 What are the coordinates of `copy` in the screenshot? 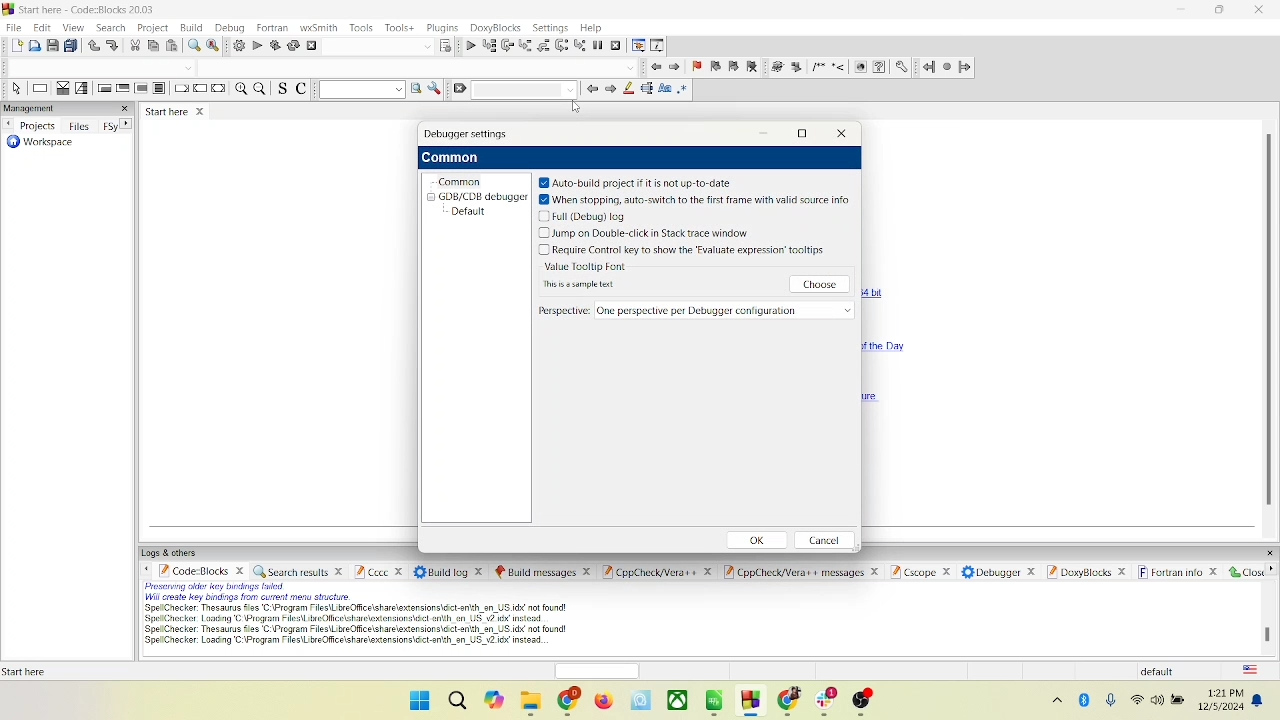 It's located at (154, 45).